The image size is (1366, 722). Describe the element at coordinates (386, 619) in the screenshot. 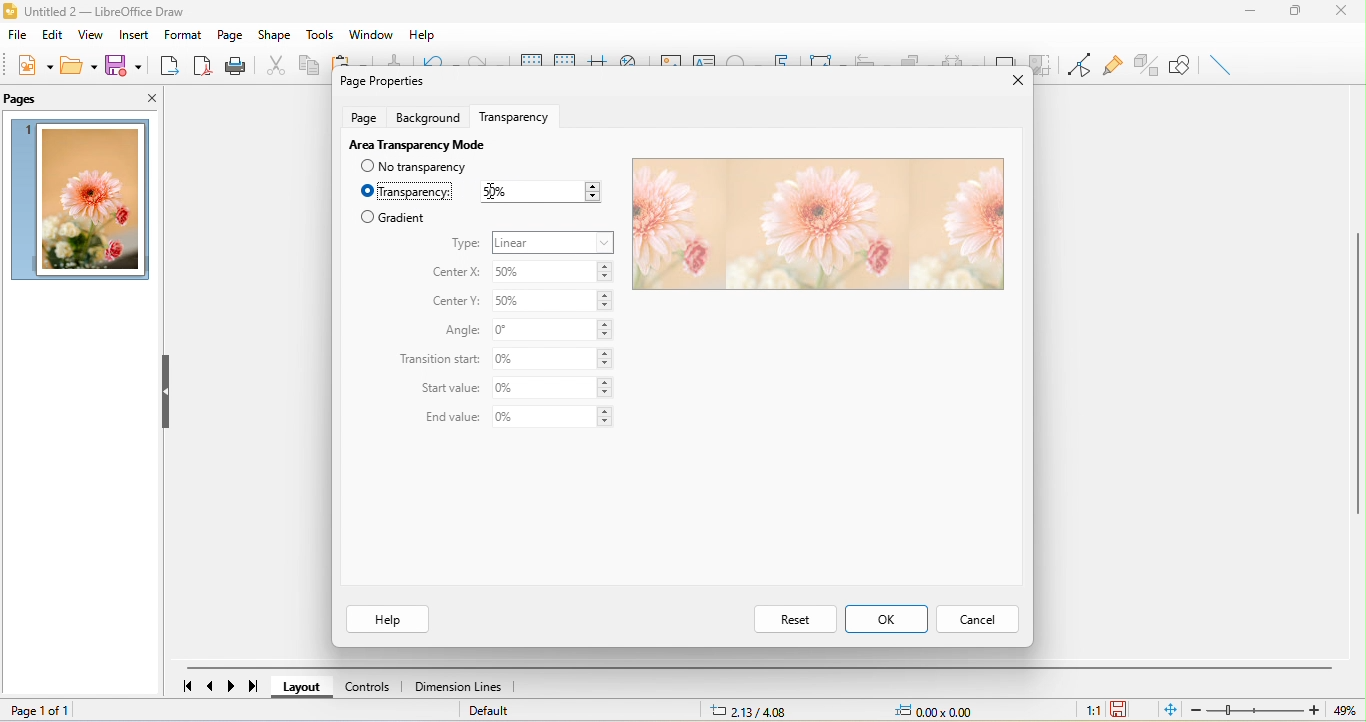

I see `help` at that location.